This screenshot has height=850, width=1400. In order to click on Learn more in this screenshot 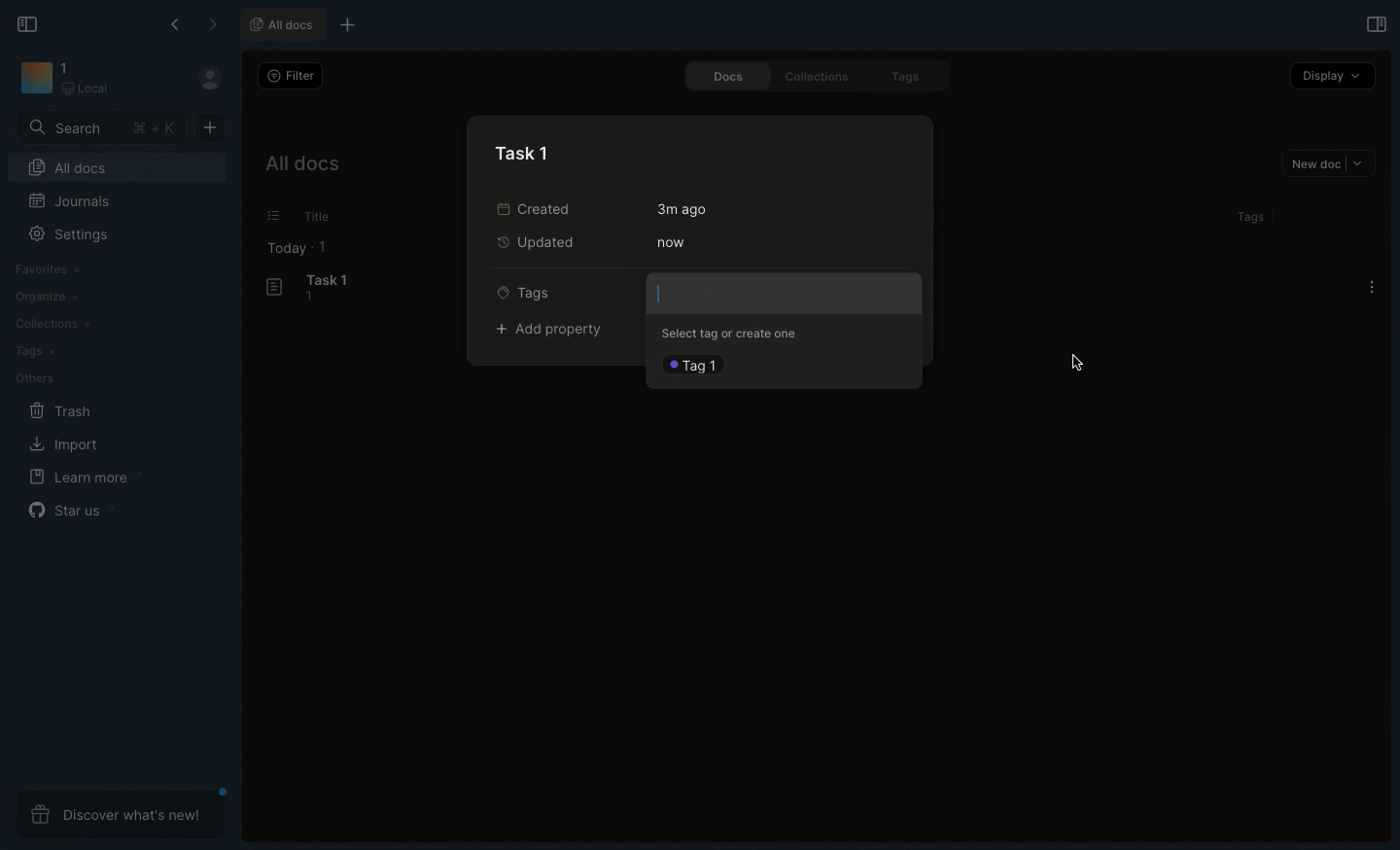, I will do `click(82, 478)`.